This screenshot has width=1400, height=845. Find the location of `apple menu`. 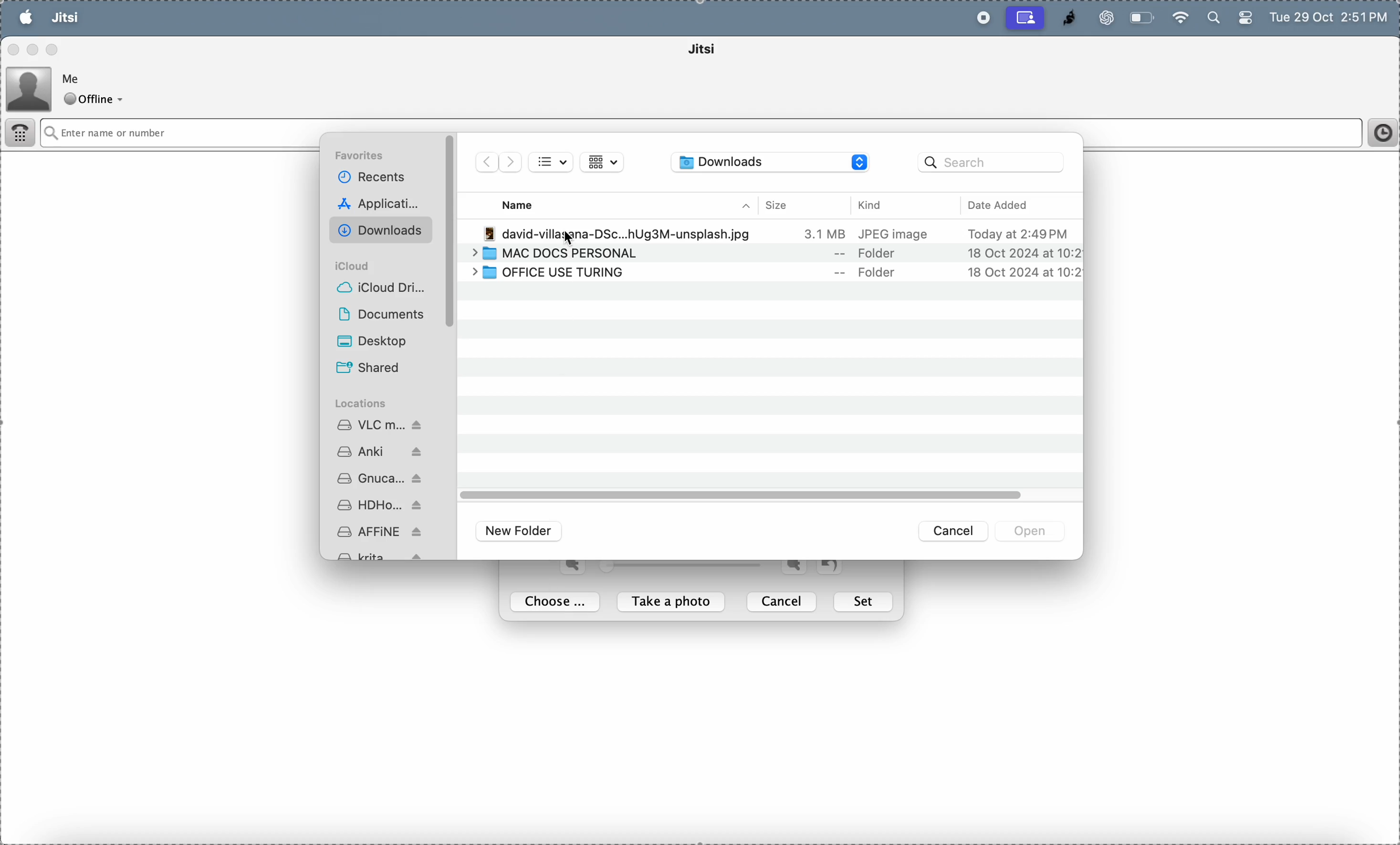

apple menu is located at coordinates (26, 17).